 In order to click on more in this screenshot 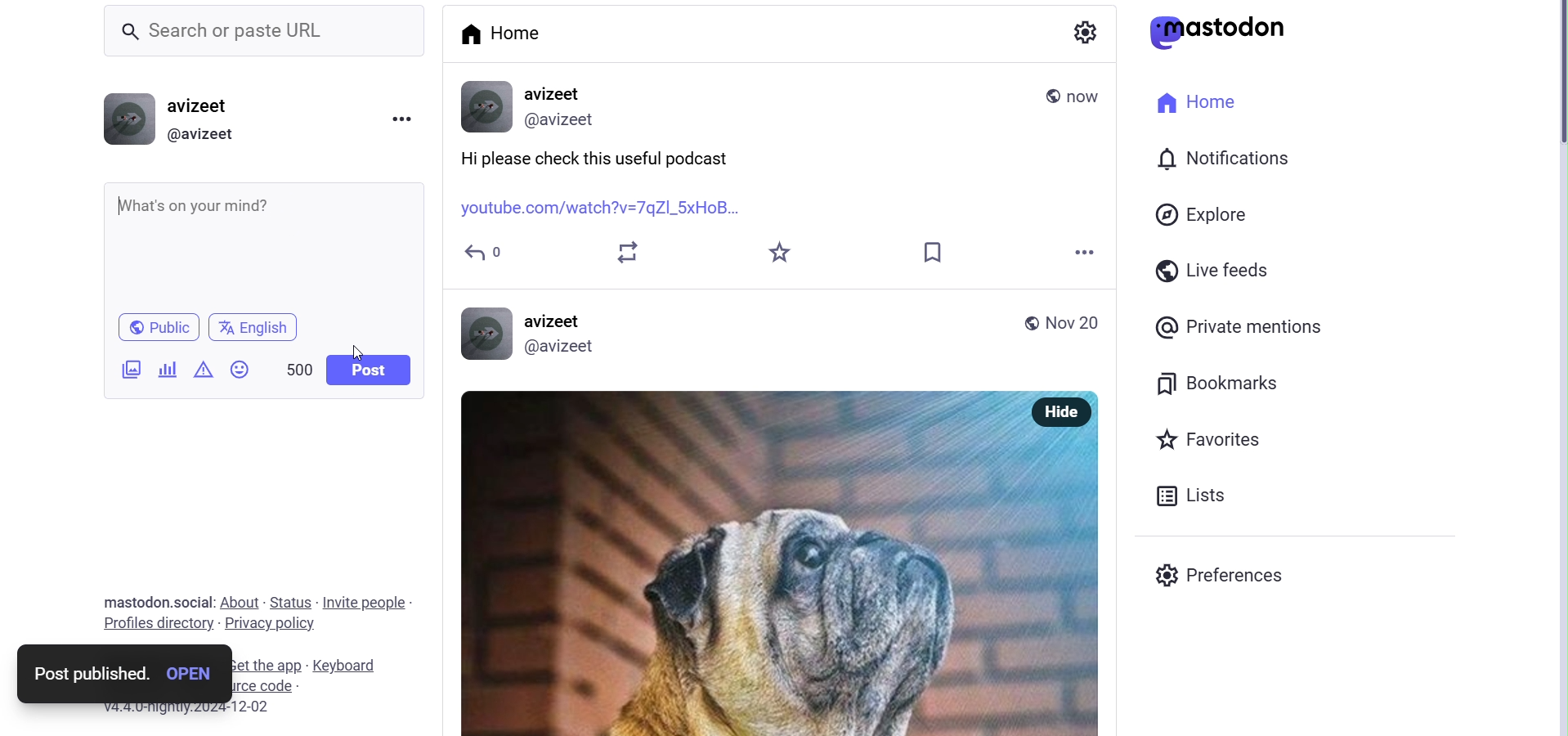, I will do `click(1084, 251)`.